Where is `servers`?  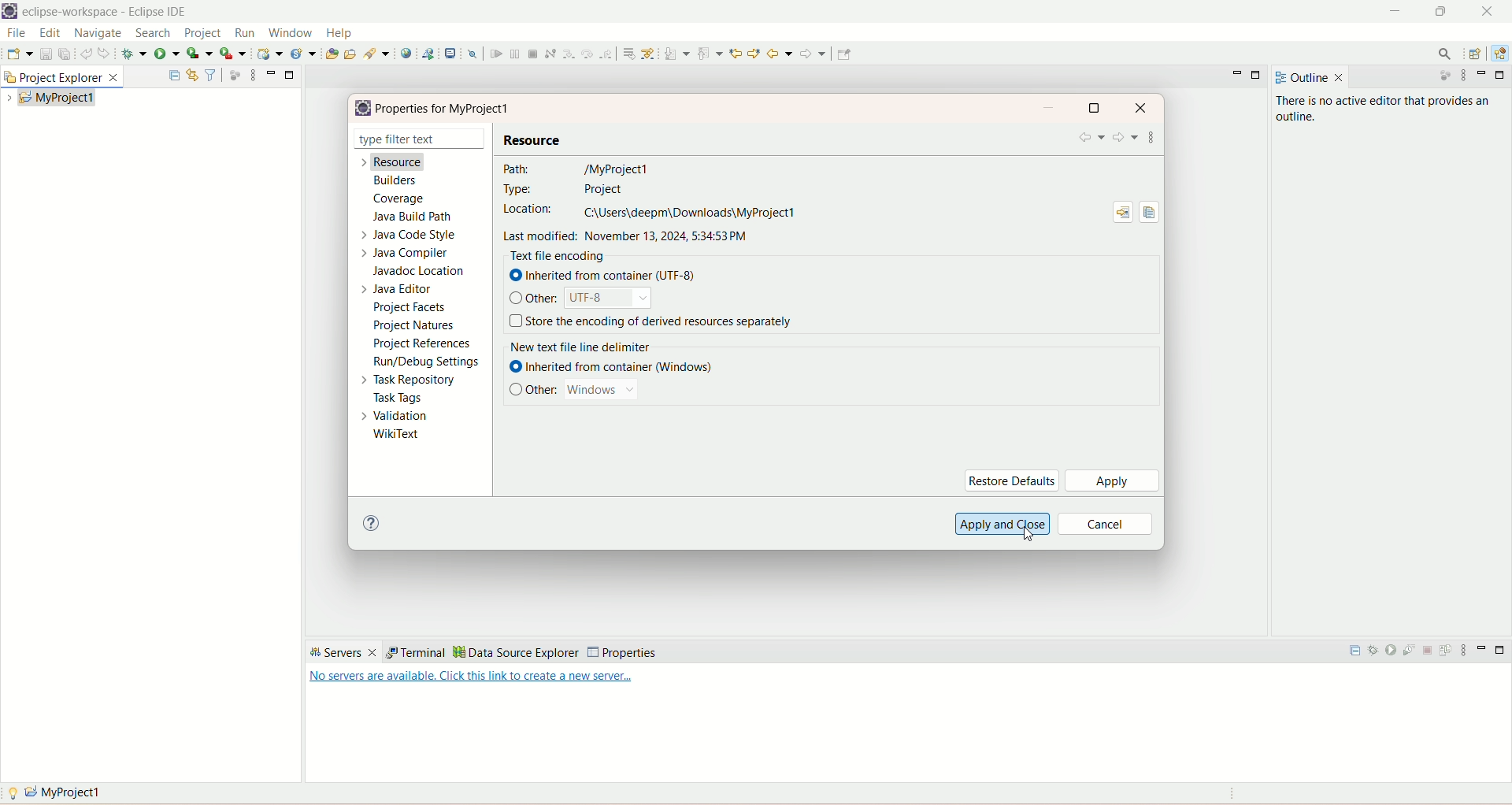 servers is located at coordinates (343, 653).